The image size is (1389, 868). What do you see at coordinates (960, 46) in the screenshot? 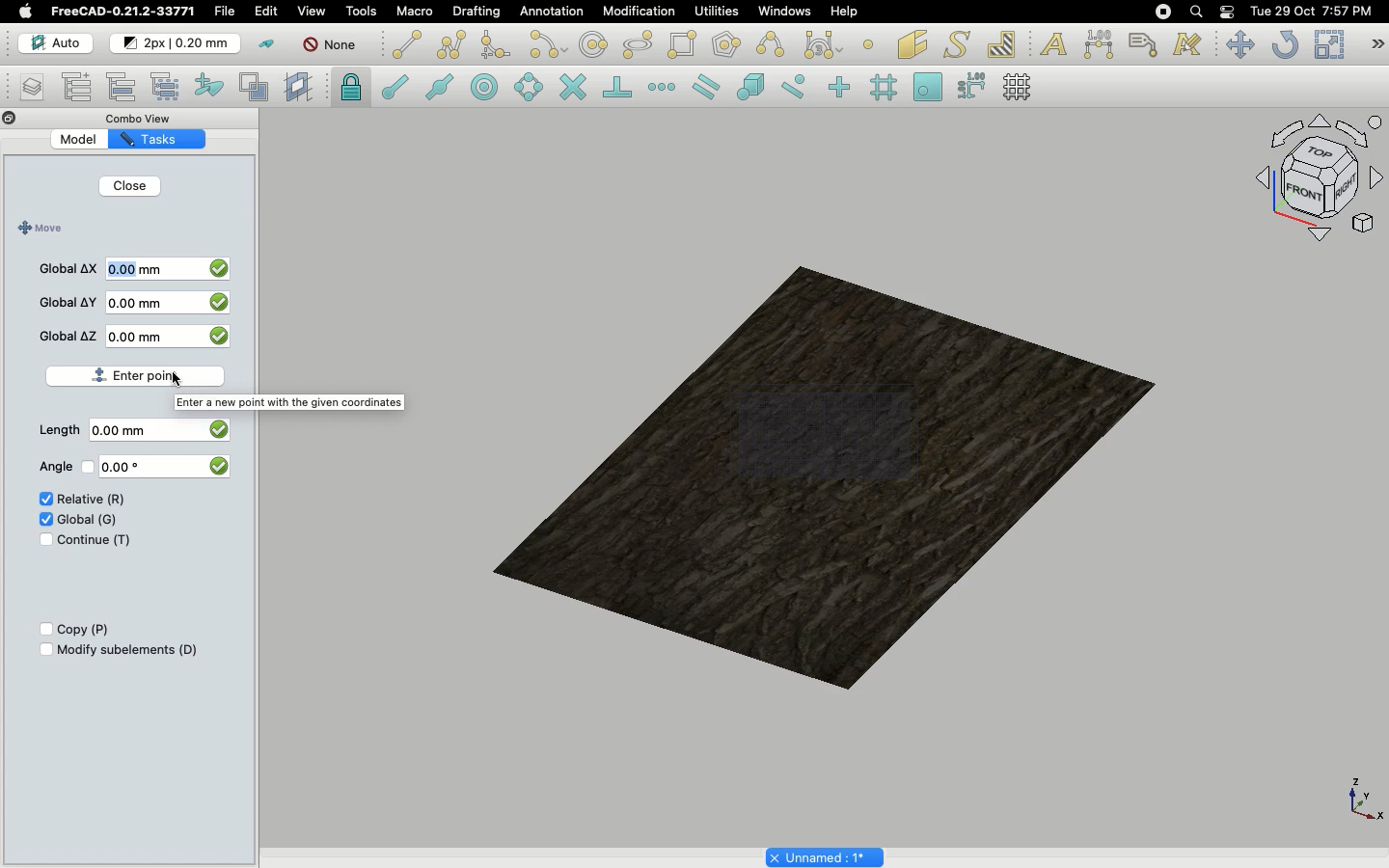
I see `Shape from text` at bounding box center [960, 46].